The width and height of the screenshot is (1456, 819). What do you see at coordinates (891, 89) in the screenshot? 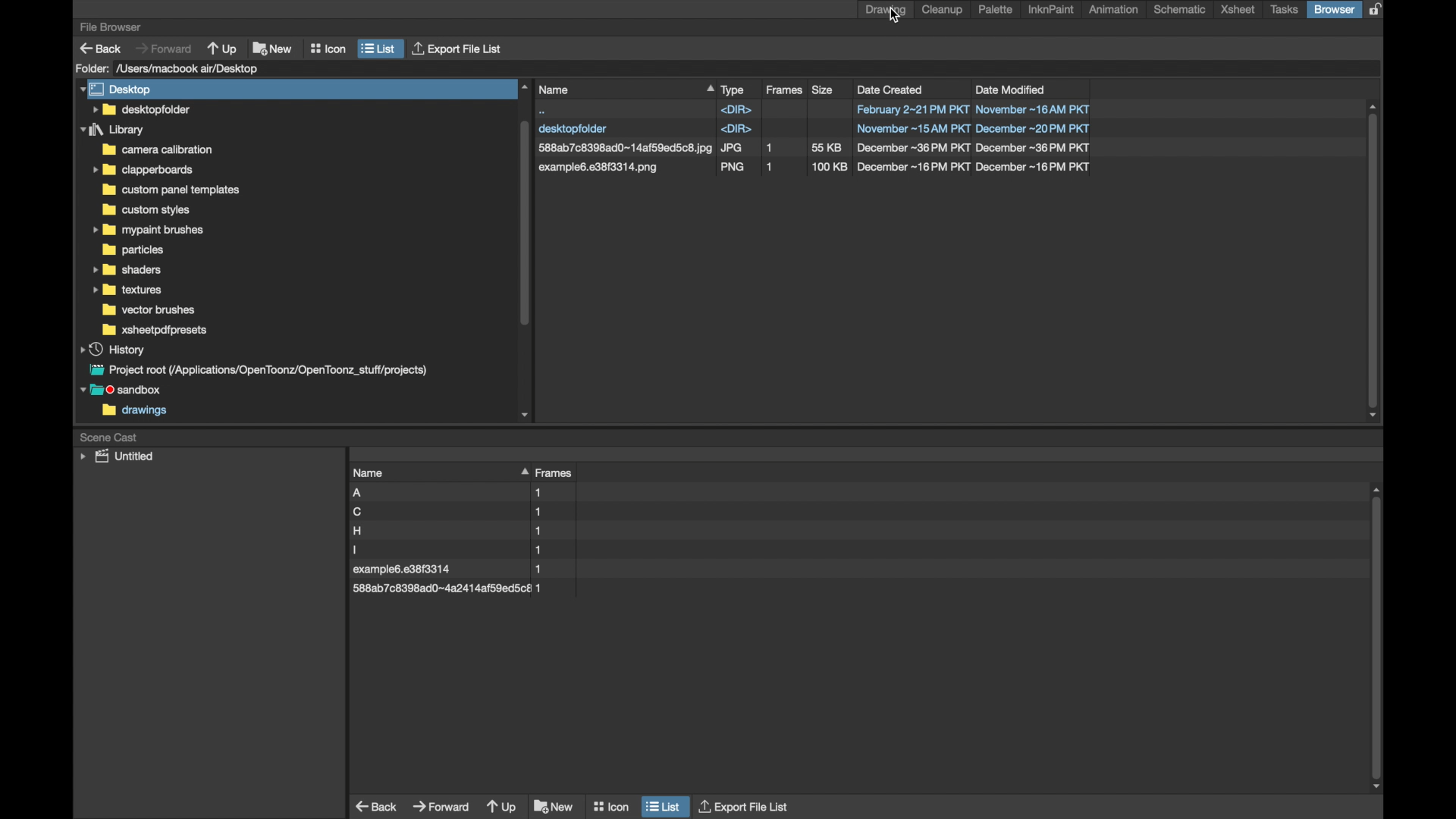
I see `date created` at bounding box center [891, 89].